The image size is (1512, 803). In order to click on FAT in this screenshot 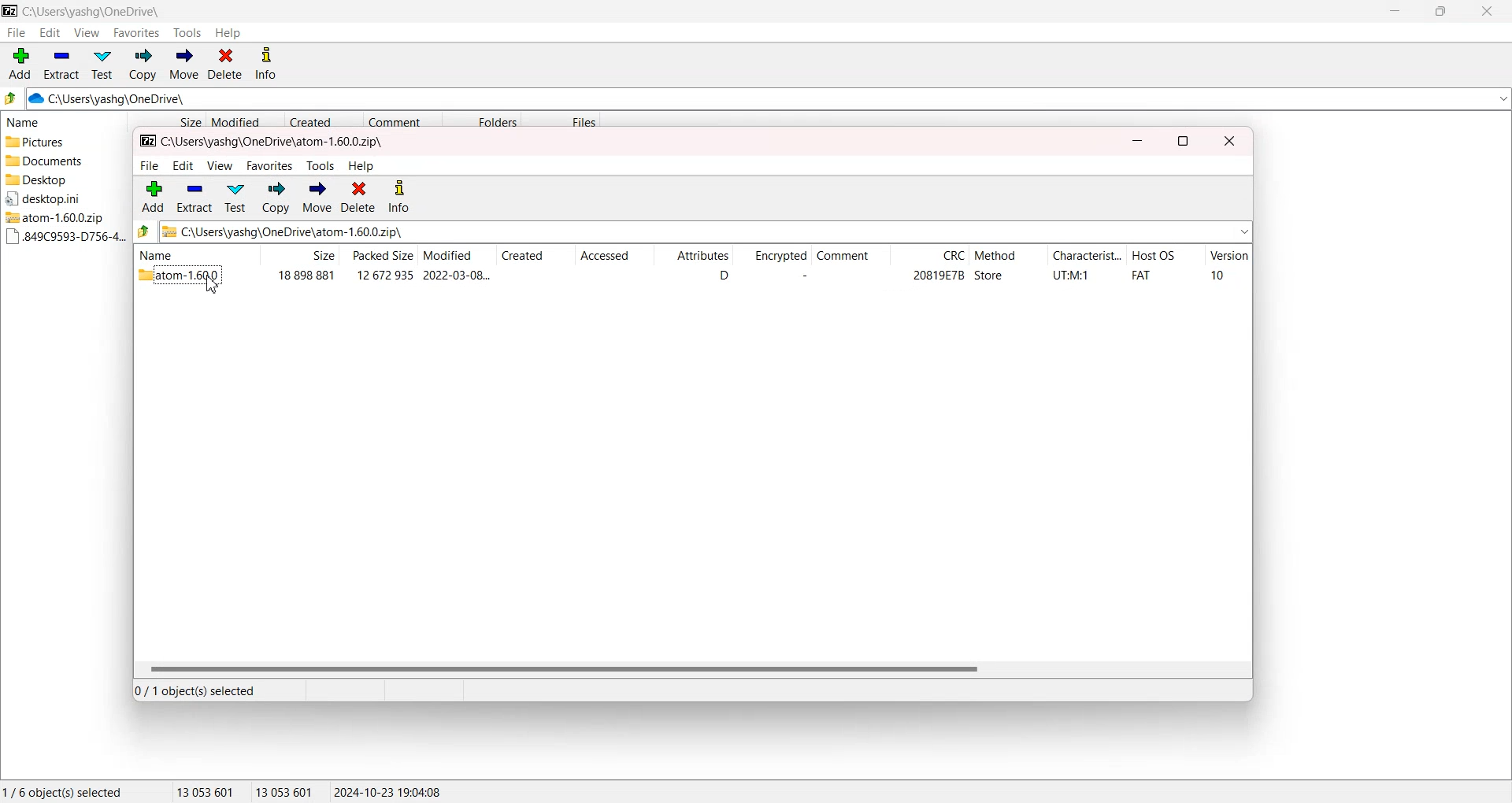, I will do `click(1141, 276)`.